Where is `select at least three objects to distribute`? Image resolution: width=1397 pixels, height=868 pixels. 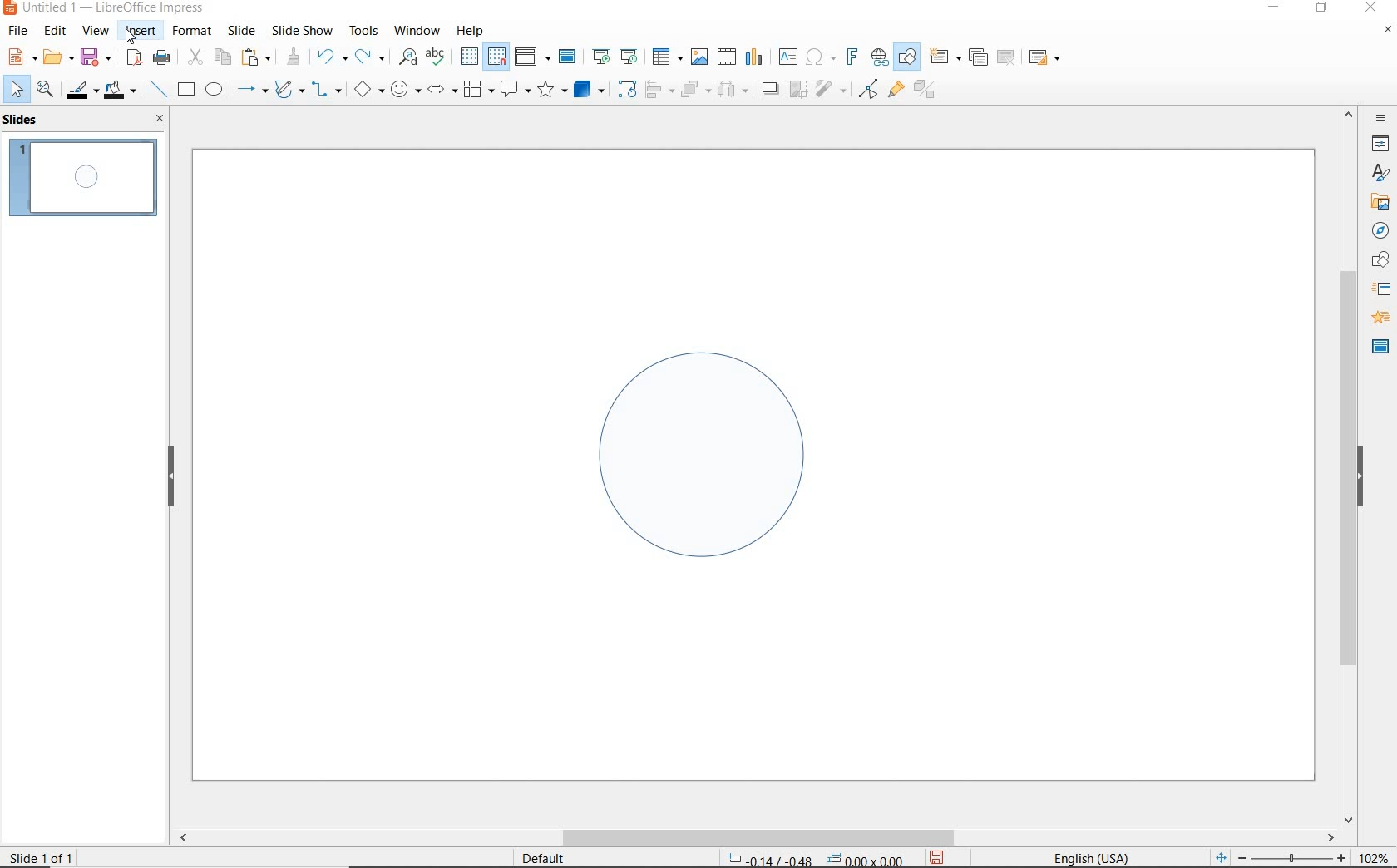
select at least three objects to distribute is located at coordinates (733, 90).